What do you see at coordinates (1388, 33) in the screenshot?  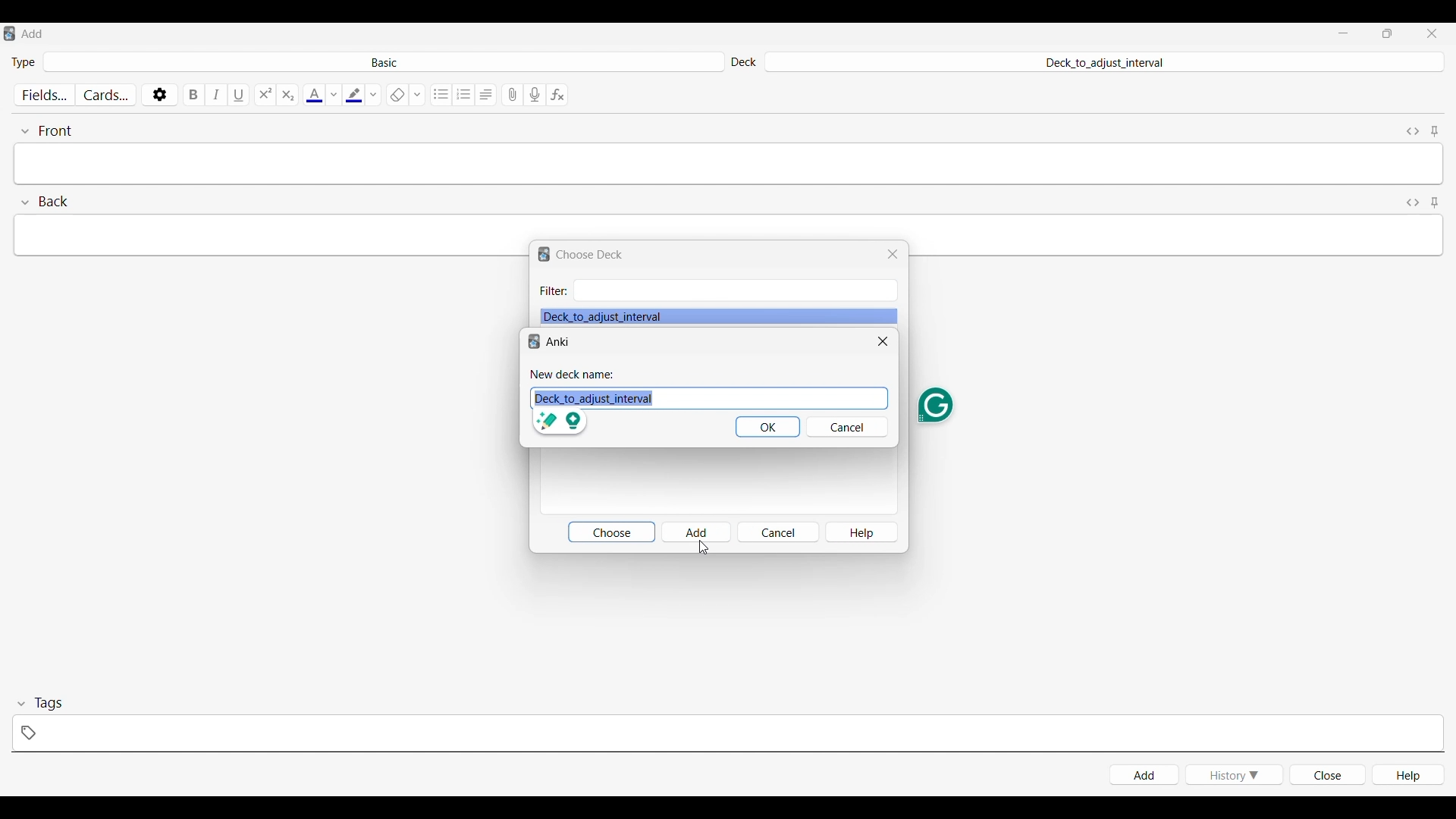 I see `Show interface in smaller tab` at bounding box center [1388, 33].